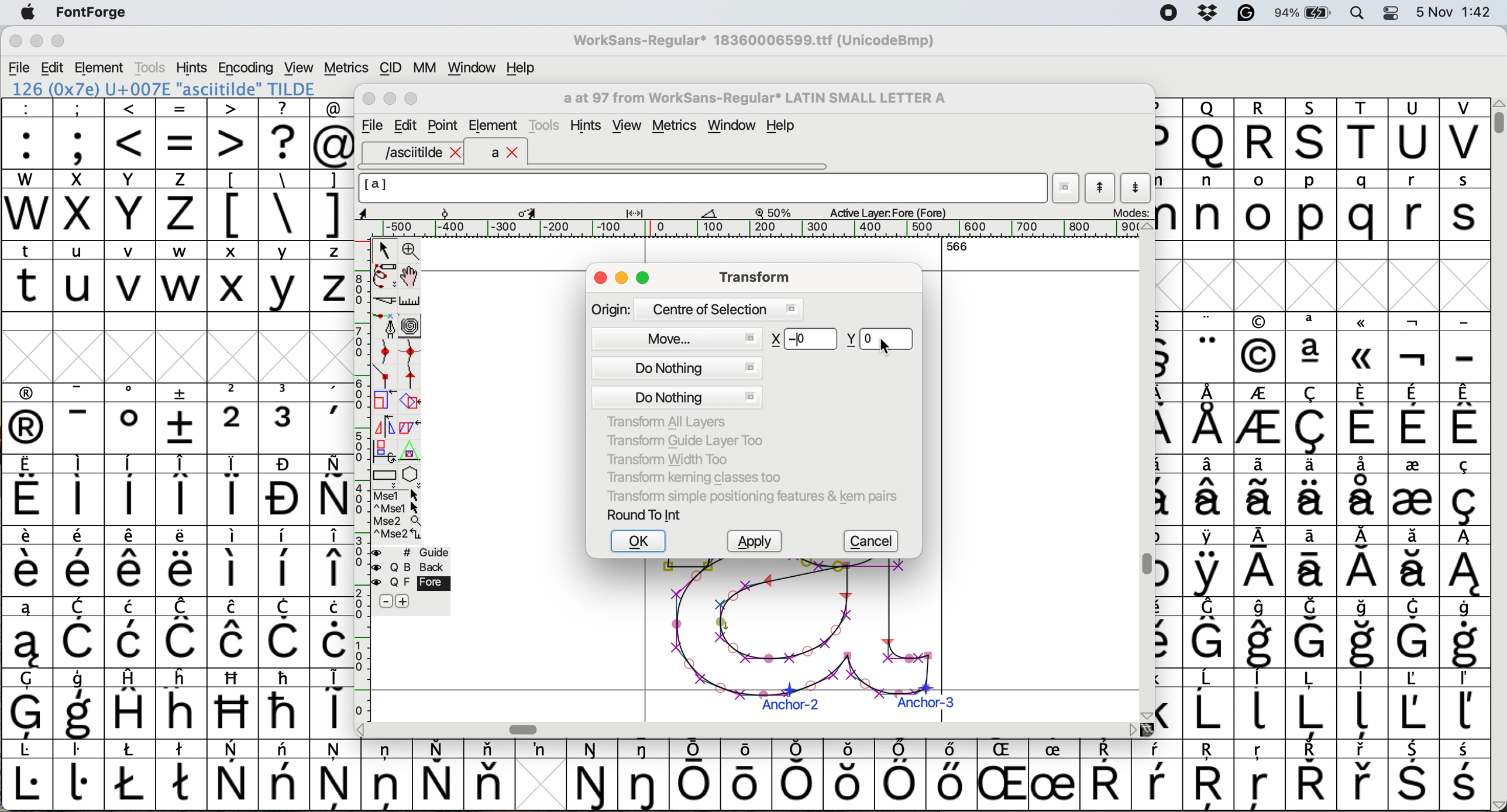 This screenshot has height=812, width=1507. Describe the element at coordinates (680, 439) in the screenshot. I see `transform guide layer too` at that location.